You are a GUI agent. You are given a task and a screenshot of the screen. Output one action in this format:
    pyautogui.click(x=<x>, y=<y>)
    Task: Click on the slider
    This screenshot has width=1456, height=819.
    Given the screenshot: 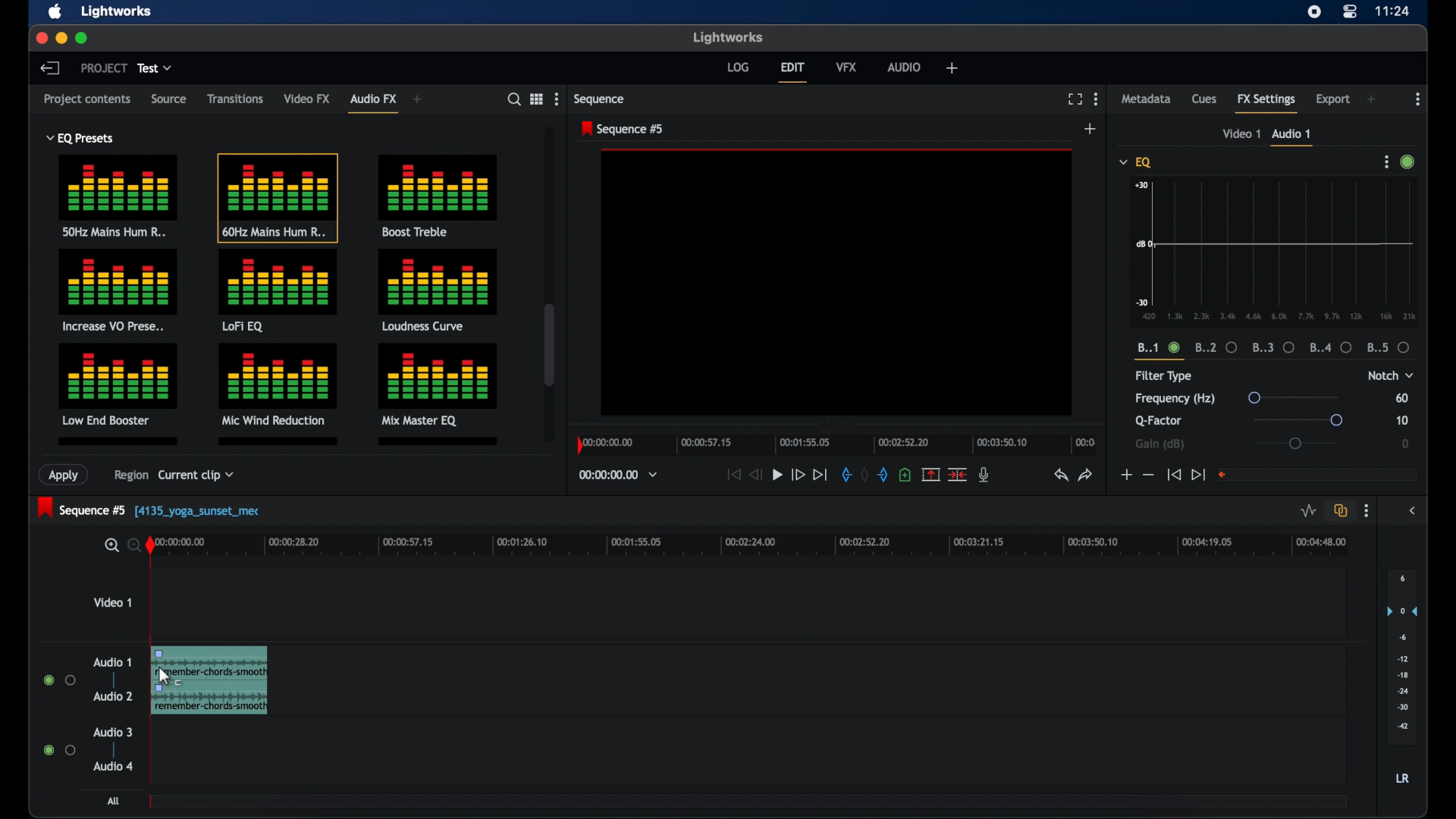 What is the action you would take?
    pyautogui.click(x=1293, y=397)
    